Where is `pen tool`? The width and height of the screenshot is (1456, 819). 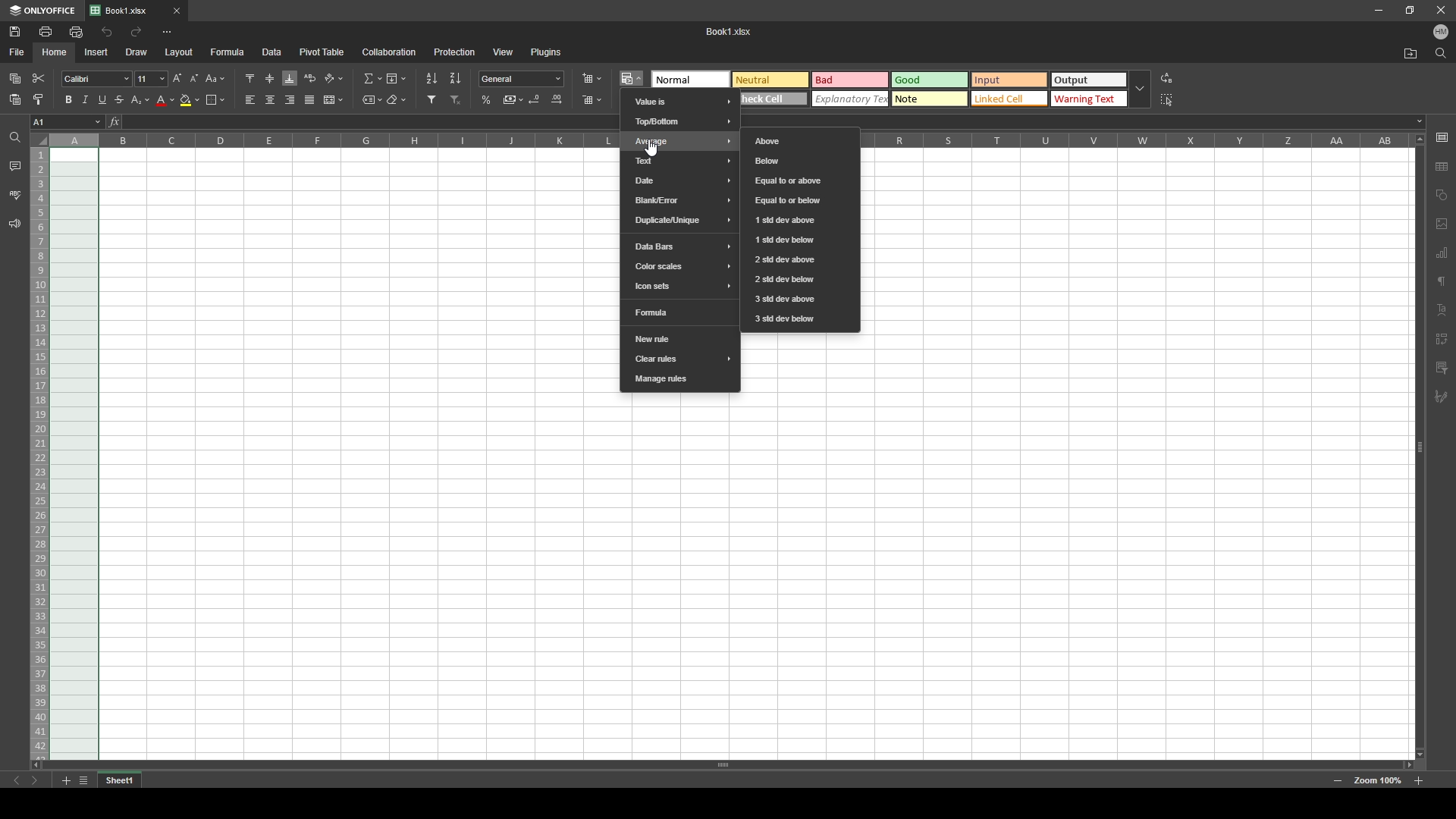
pen tool is located at coordinates (1441, 397).